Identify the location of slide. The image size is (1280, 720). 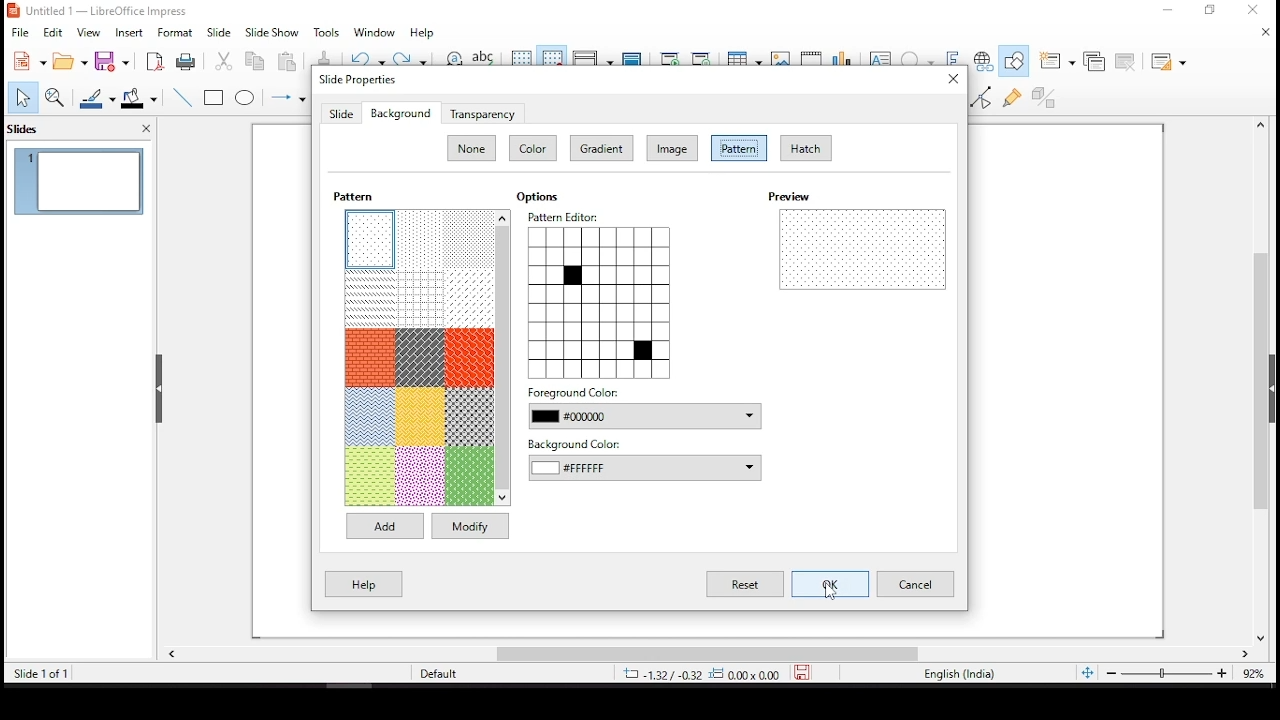
(342, 114).